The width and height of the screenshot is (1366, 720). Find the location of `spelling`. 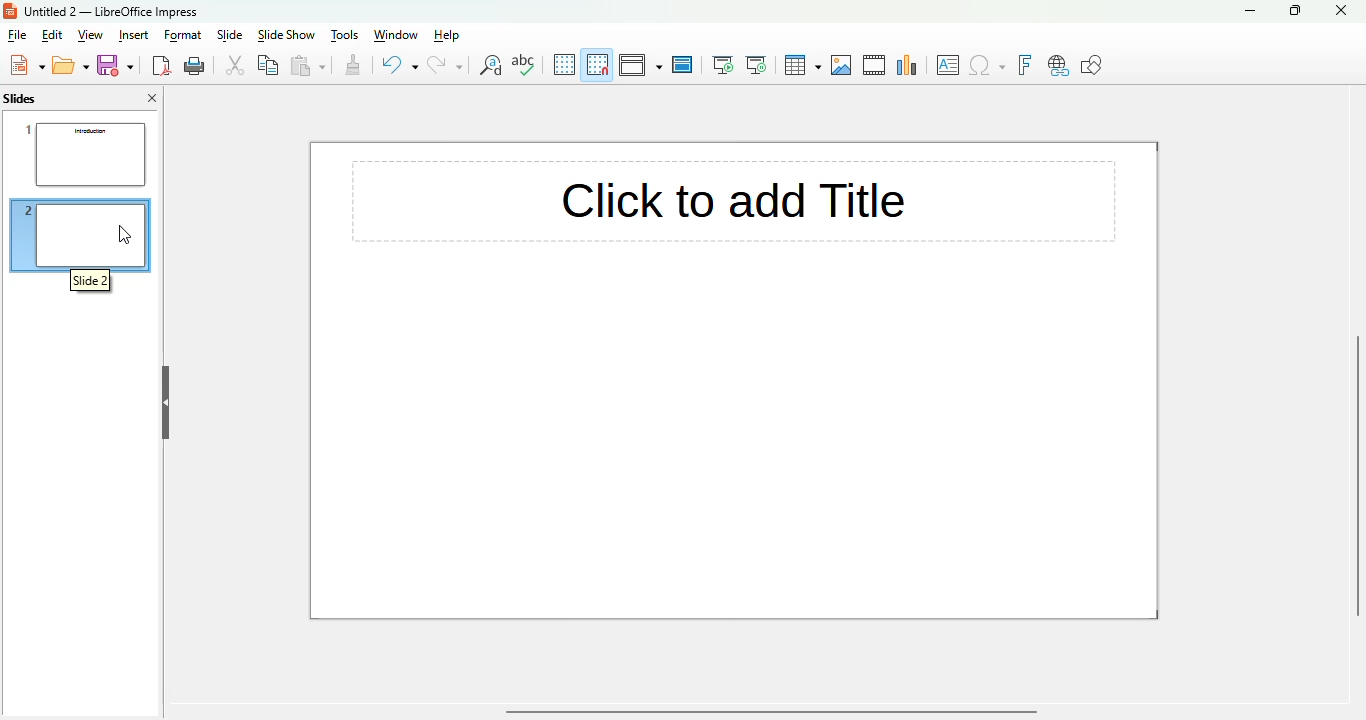

spelling is located at coordinates (524, 64).